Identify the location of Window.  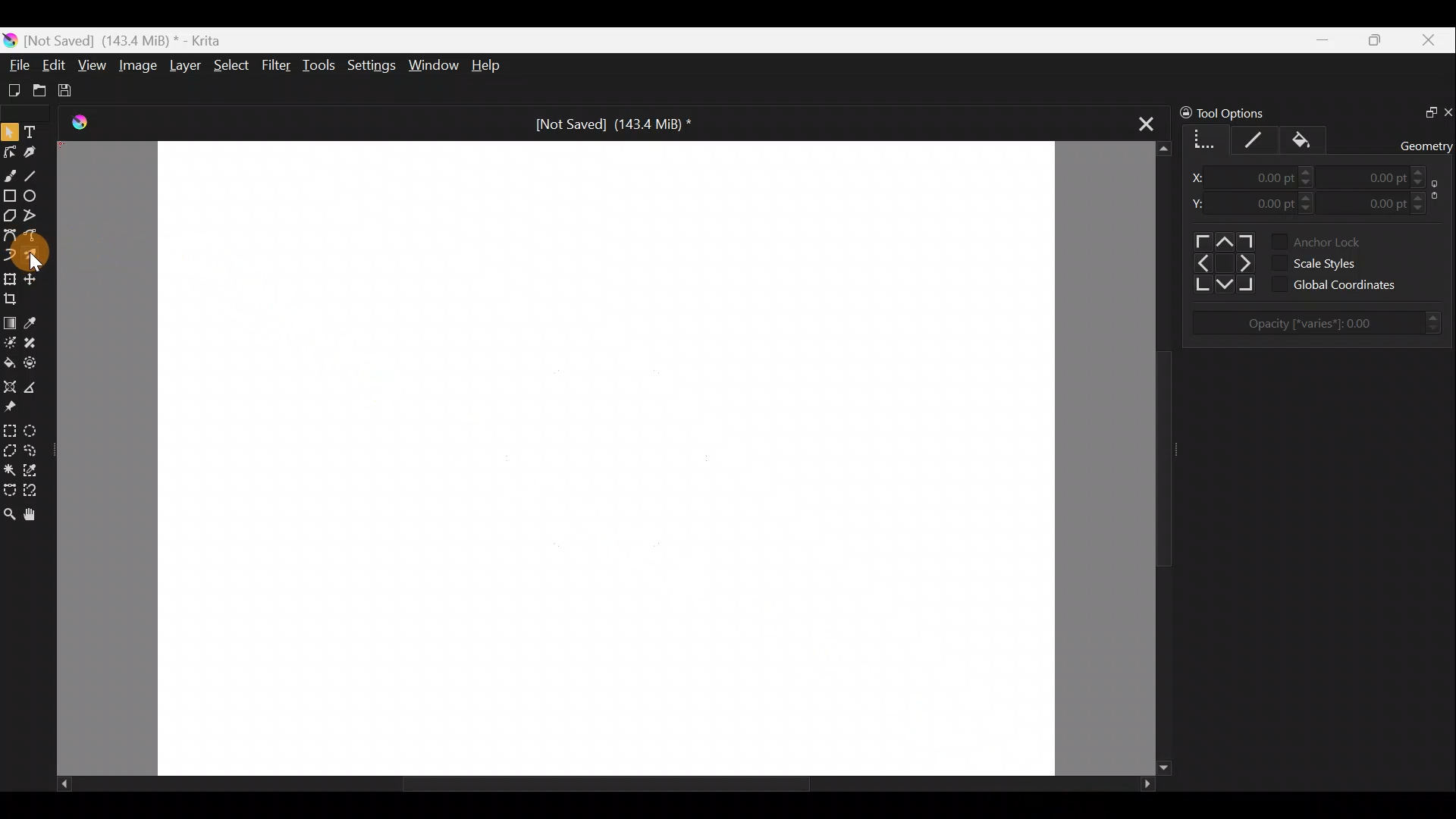
(432, 66).